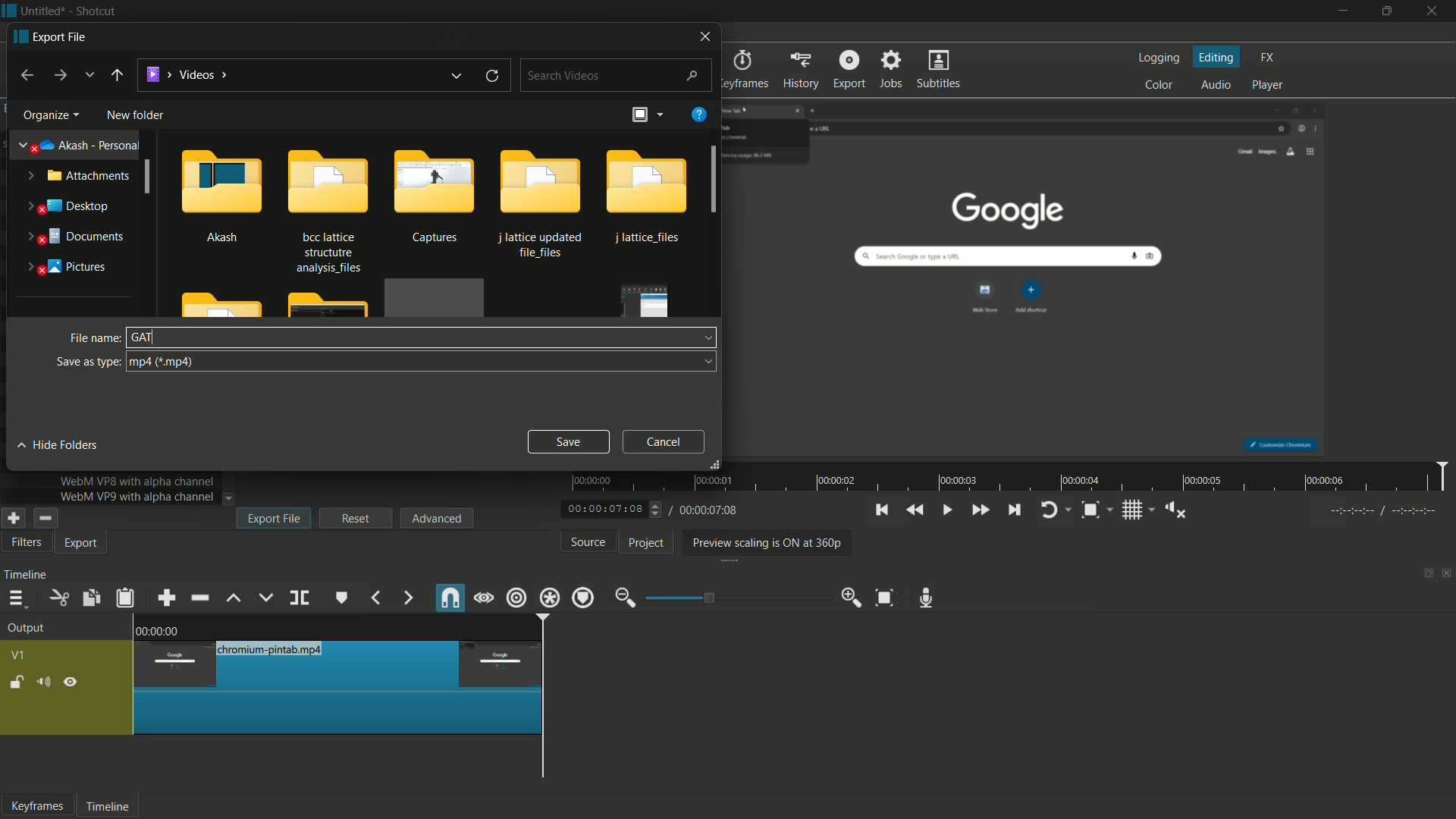 Image resolution: width=1456 pixels, height=819 pixels. I want to click on akash-personal, so click(80, 146).